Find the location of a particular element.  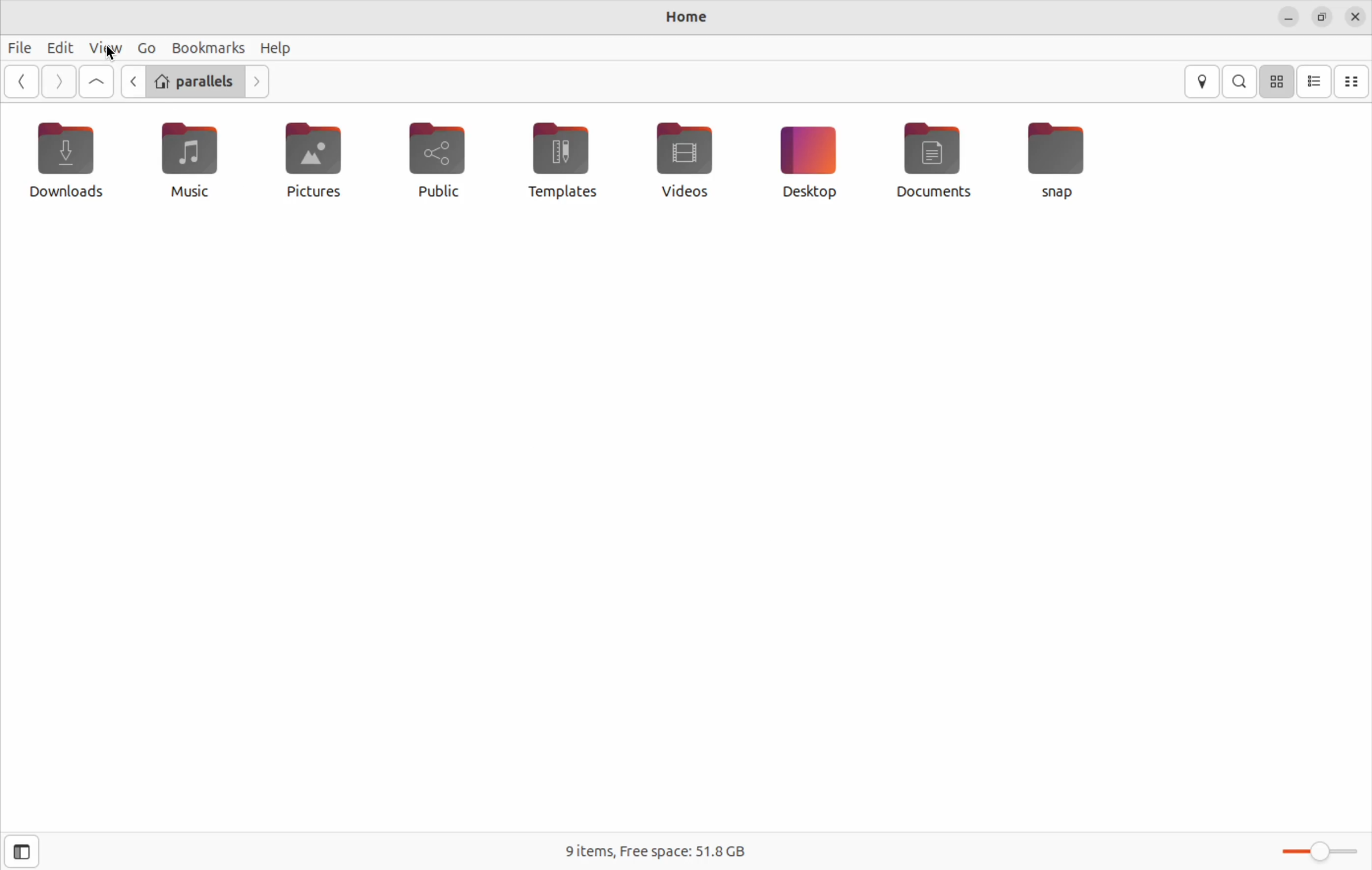

file is located at coordinates (17, 47).